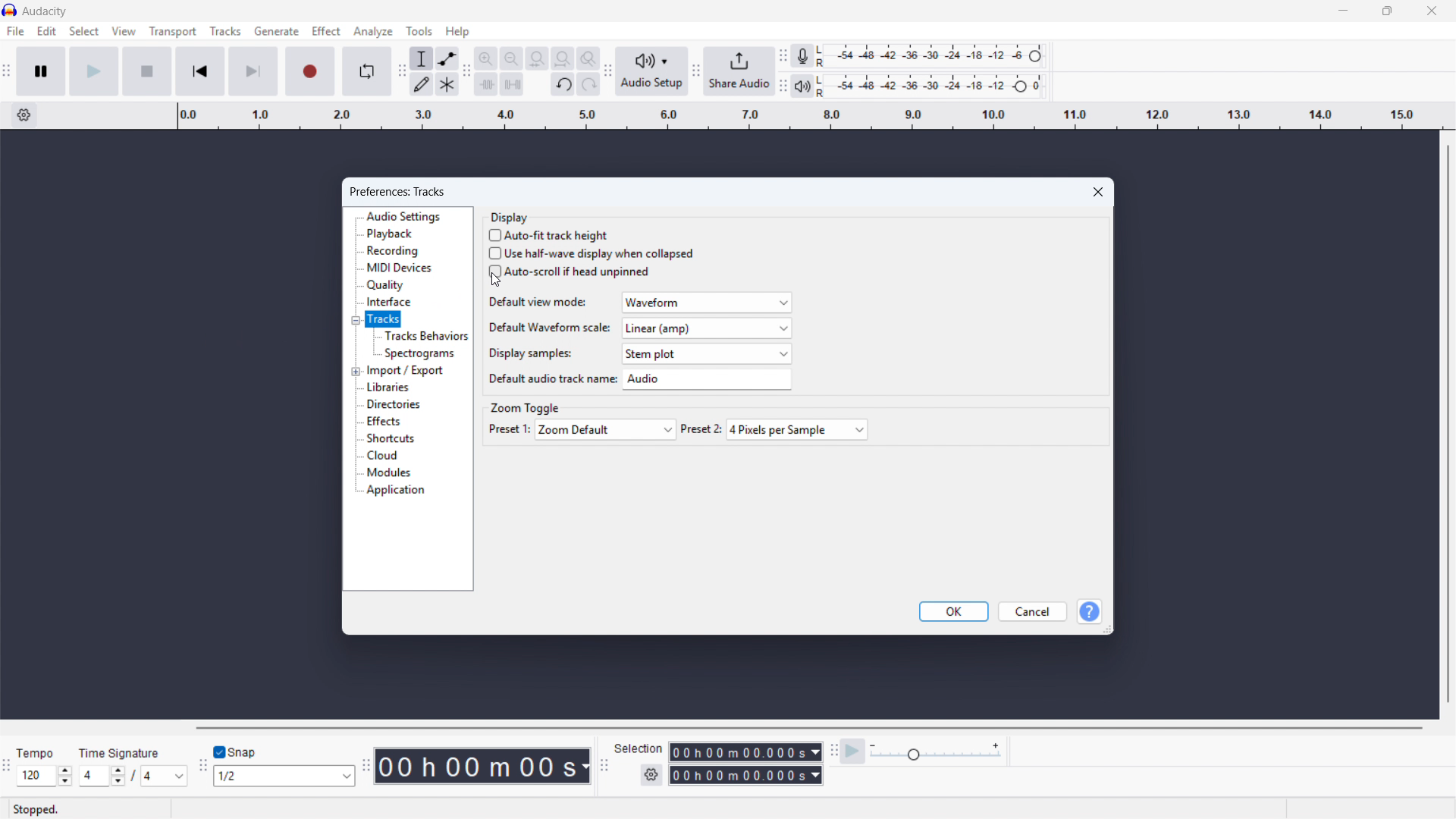 The width and height of the screenshot is (1456, 819). Describe the element at coordinates (391, 438) in the screenshot. I see `shortcuts` at that location.